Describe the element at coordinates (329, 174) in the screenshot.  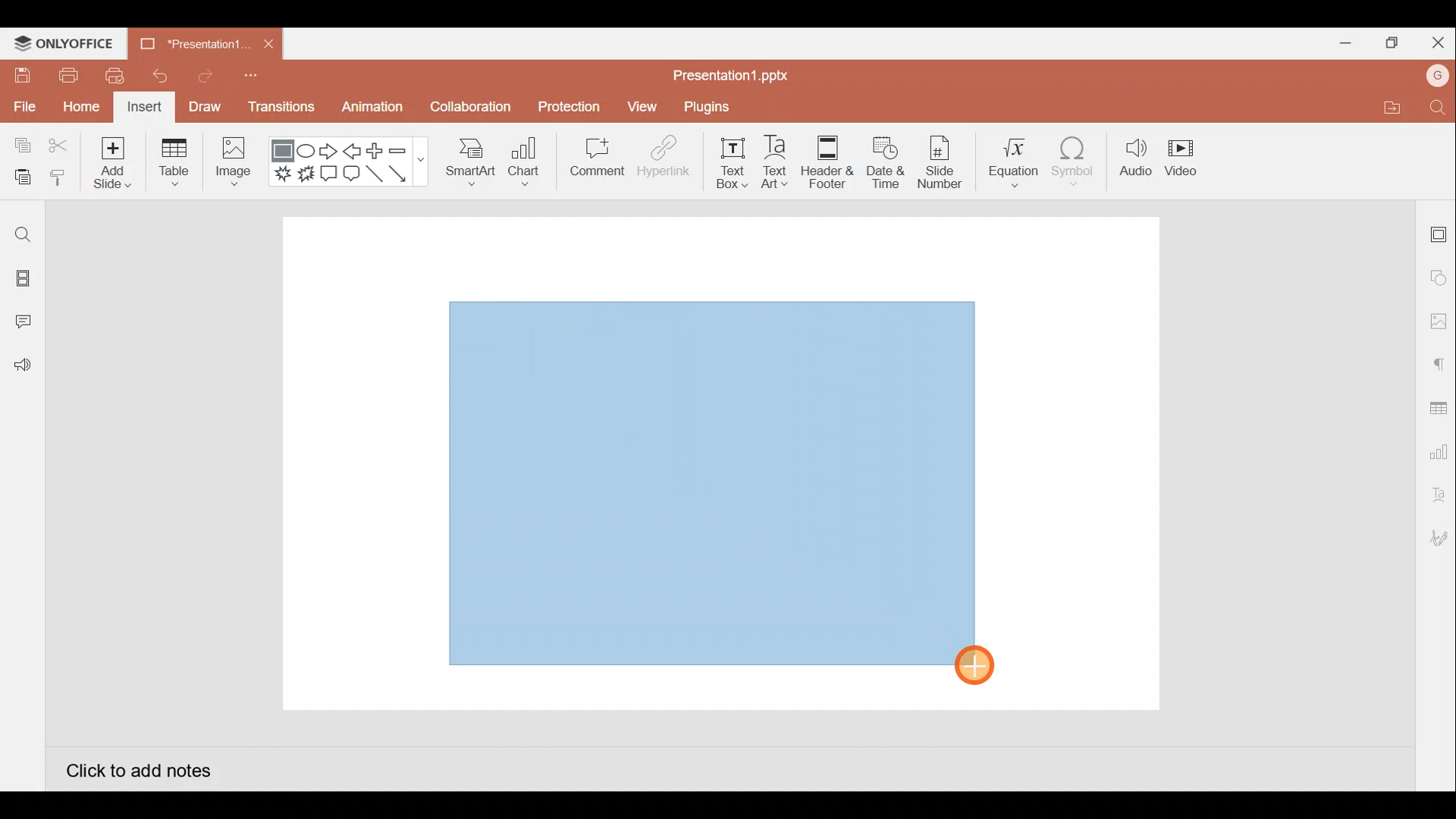
I see `Rectangular callout` at that location.